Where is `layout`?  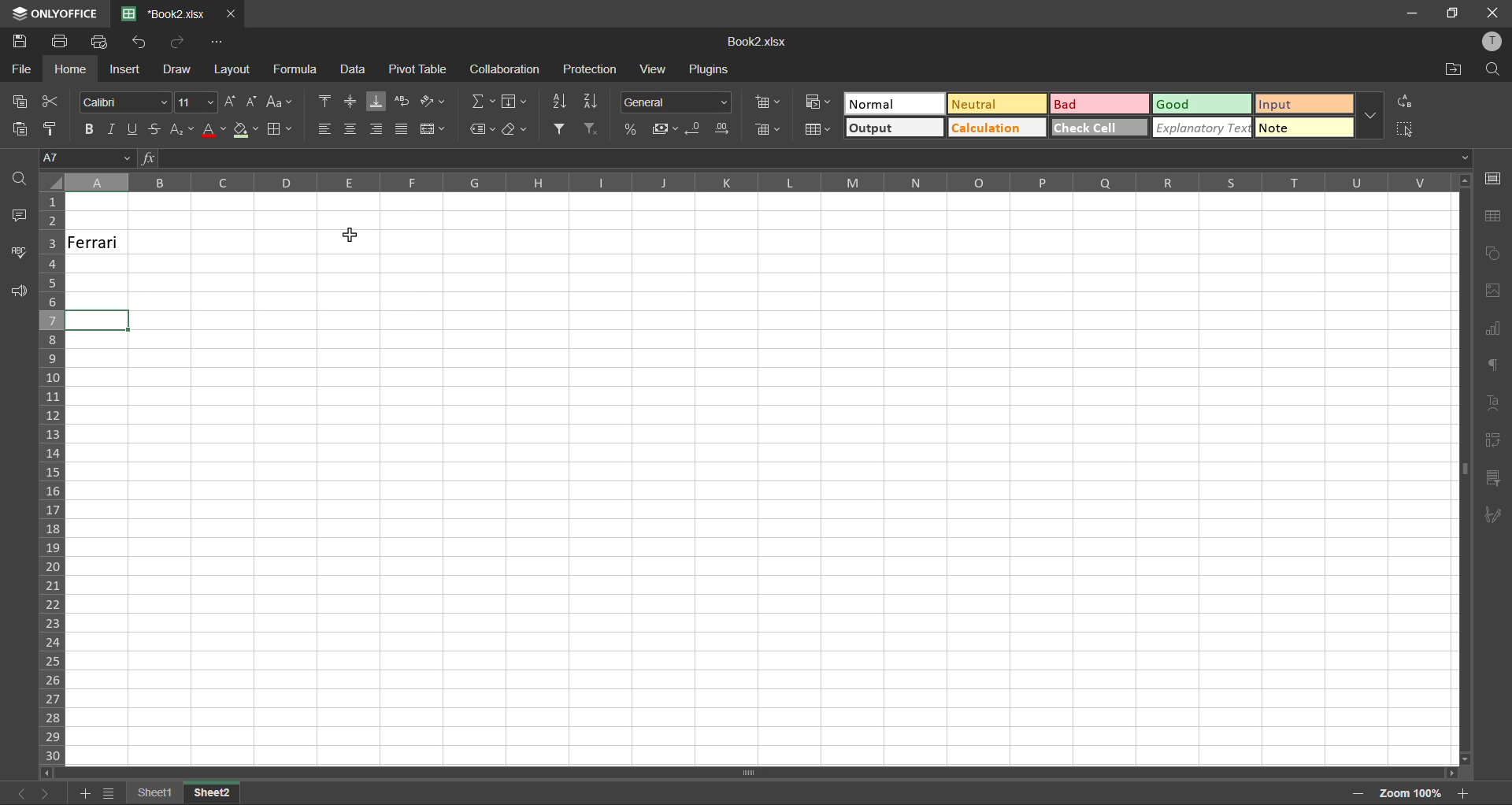 layout is located at coordinates (232, 72).